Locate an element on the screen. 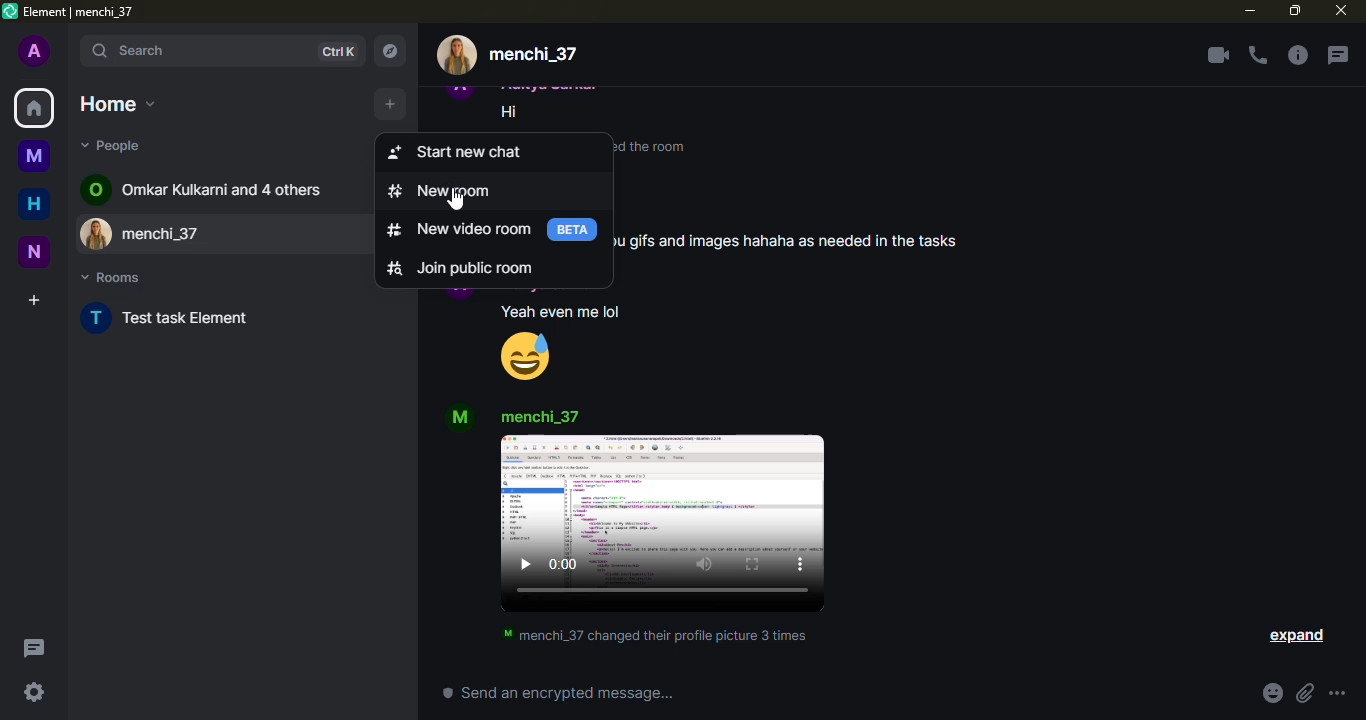 The height and width of the screenshot is (720, 1366). more settings is located at coordinates (1337, 693).